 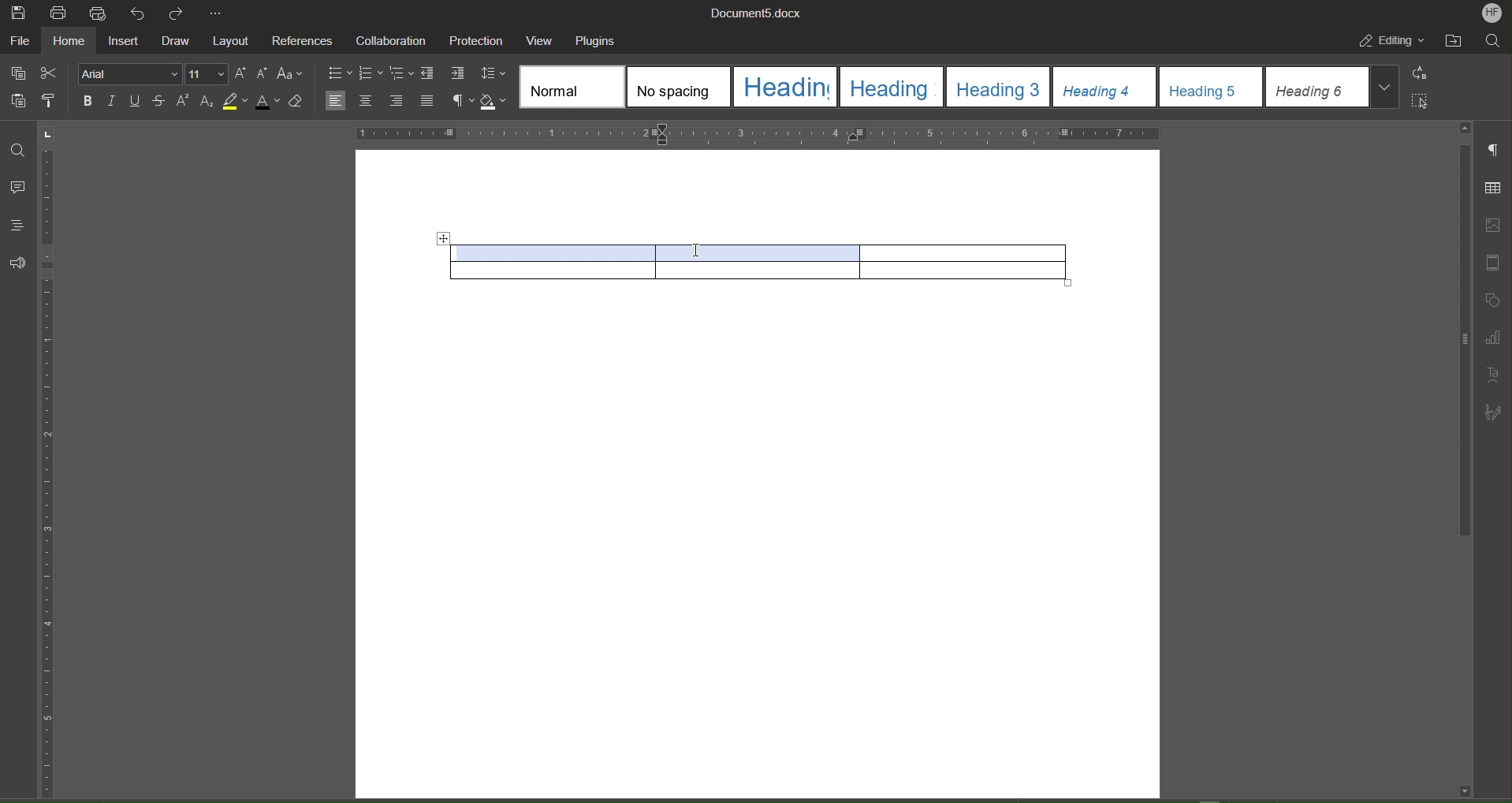 I want to click on Decrease Indent, so click(x=430, y=74).